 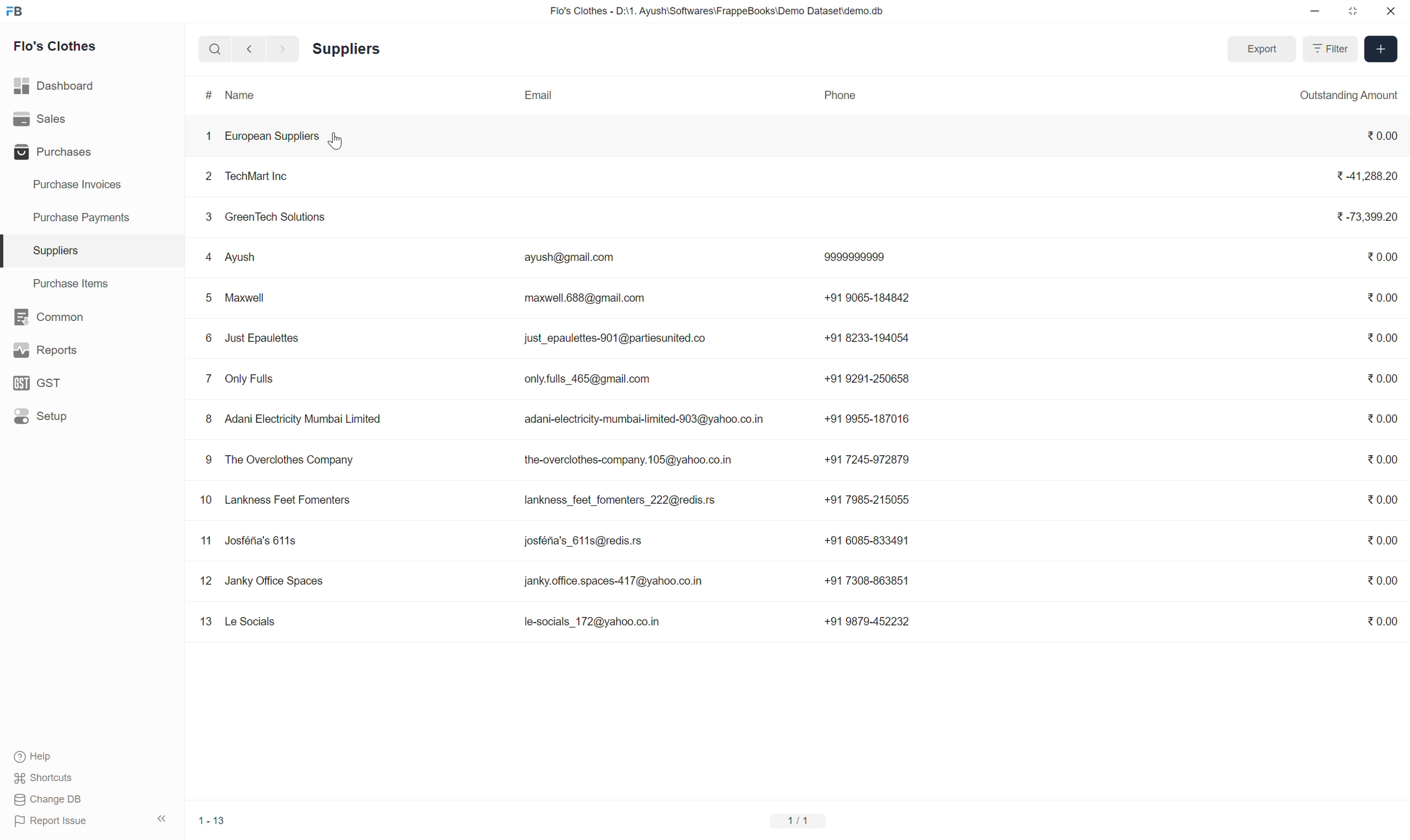 What do you see at coordinates (56, 820) in the screenshot?
I see `Report Issue` at bounding box center [56, 820].